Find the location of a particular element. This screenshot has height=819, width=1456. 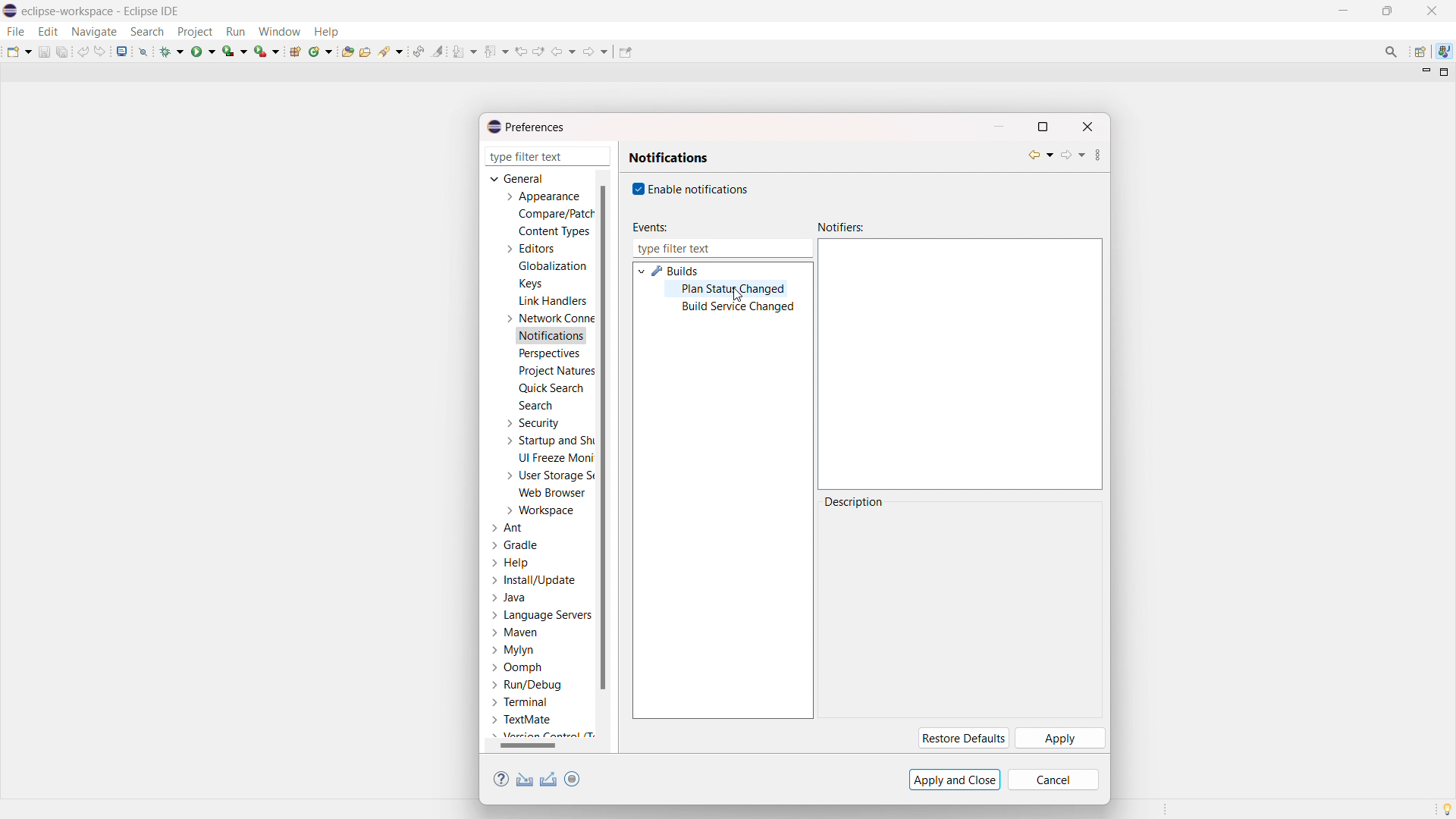

textmate is located at coordinates (523, 719).